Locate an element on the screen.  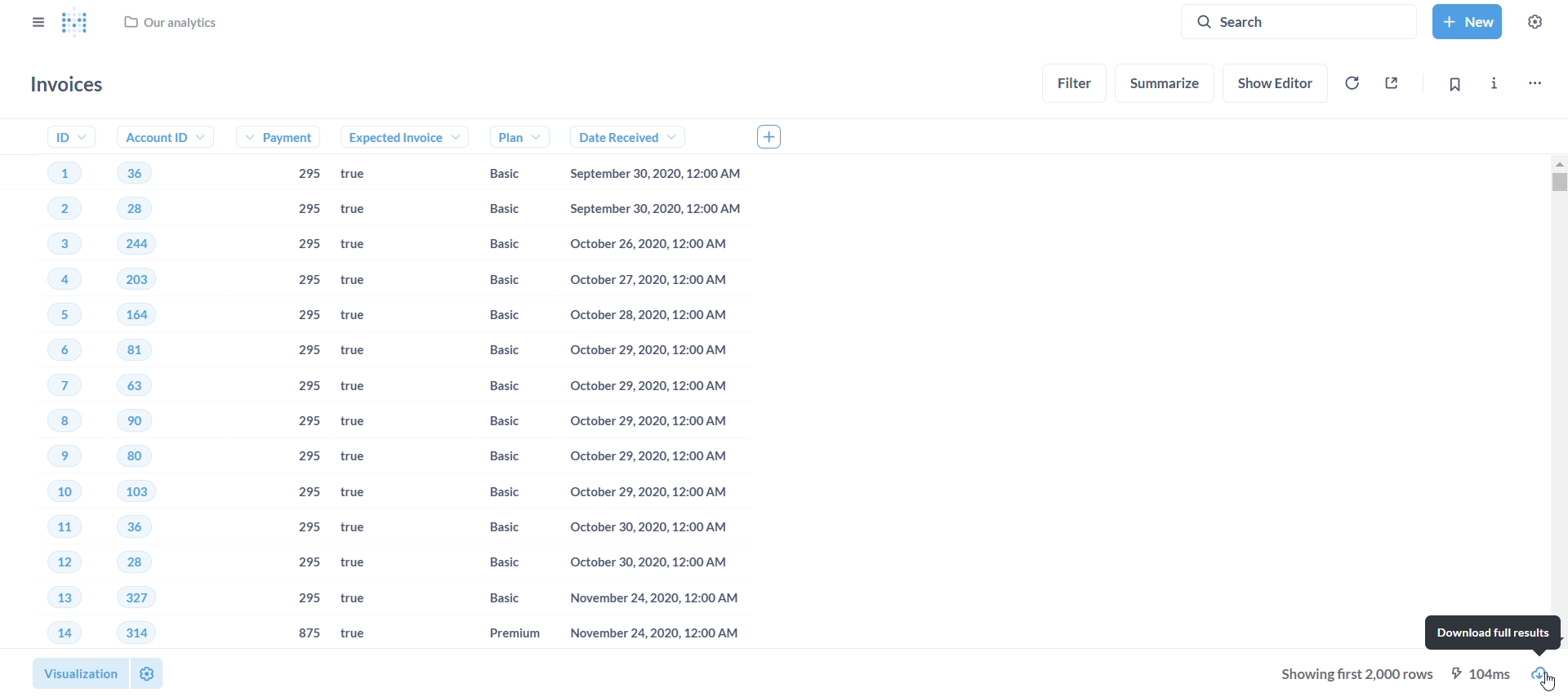
plan is located at coordinates (501, 136).